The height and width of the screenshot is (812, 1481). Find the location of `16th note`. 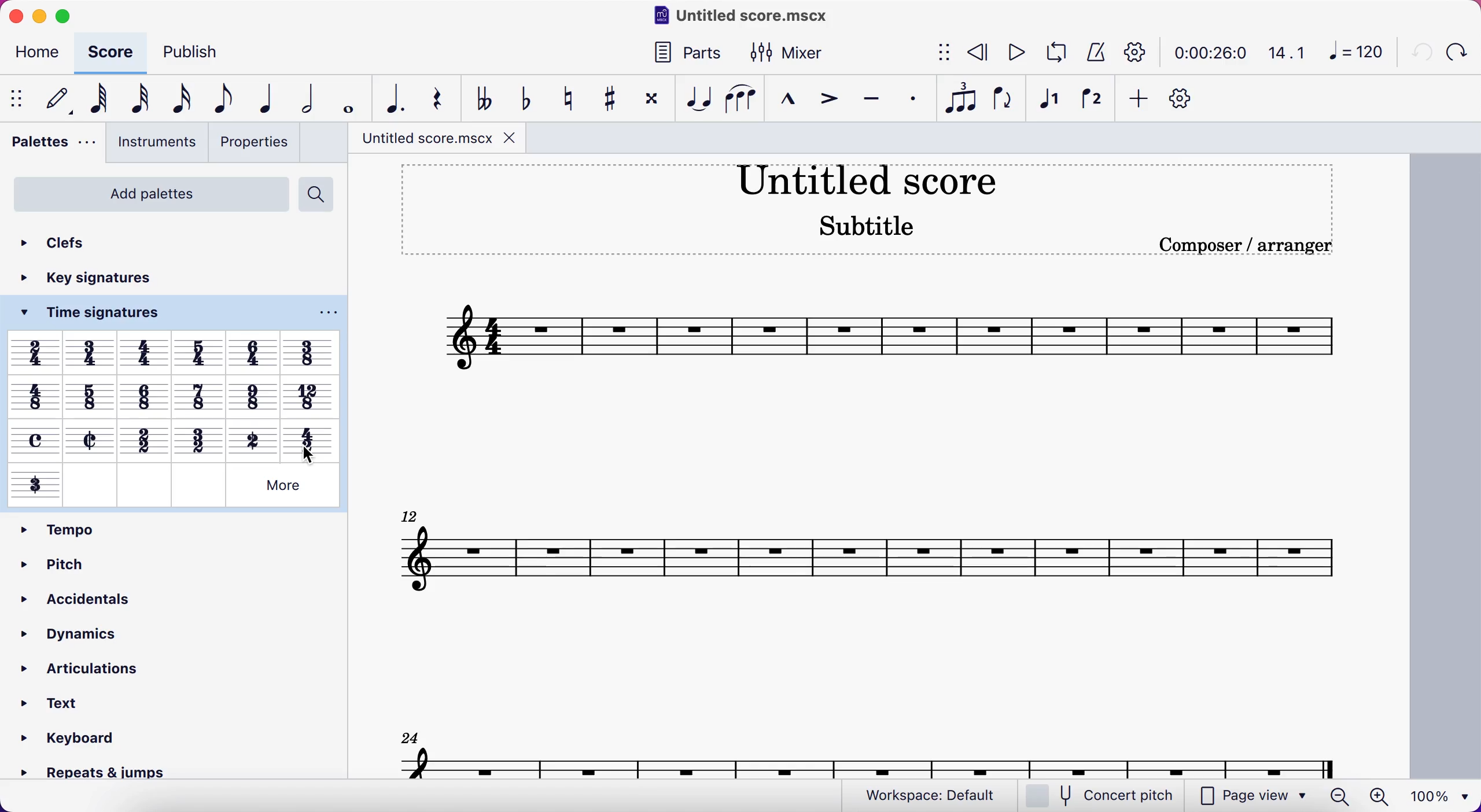

16th note is located at coordinates (178, 98).